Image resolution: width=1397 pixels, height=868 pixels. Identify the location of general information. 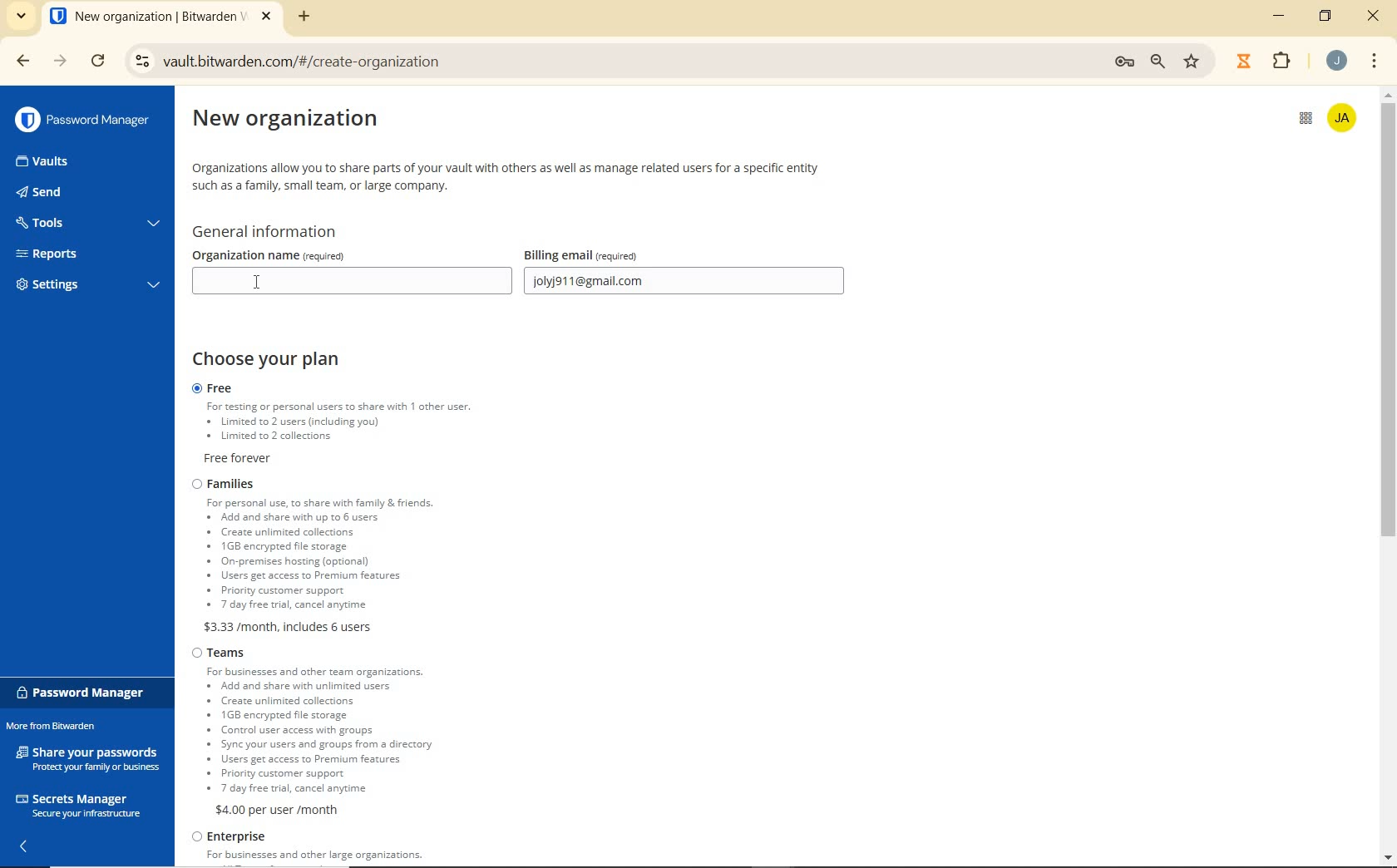
(273, 232).